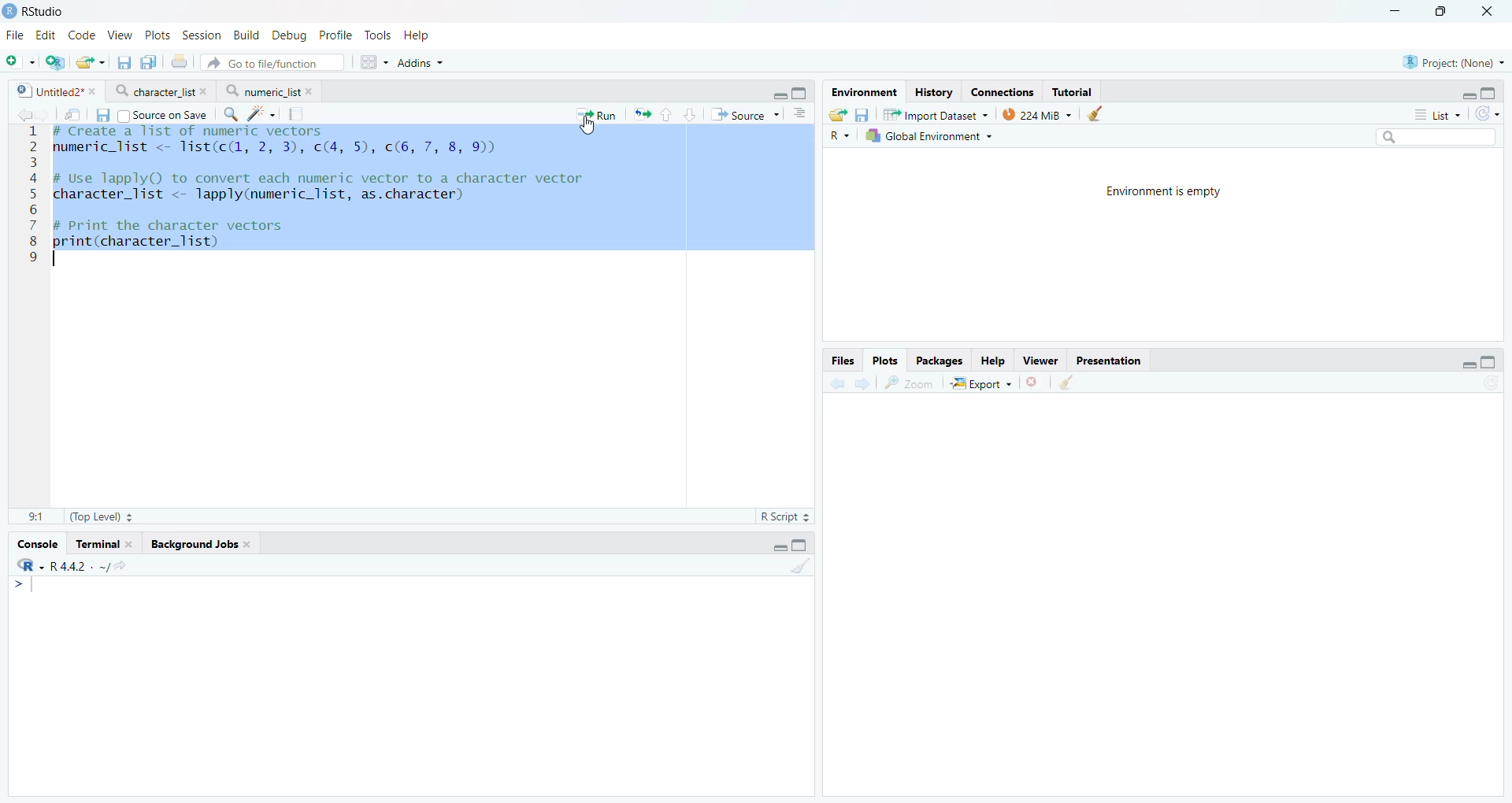 This screenshot has width=1512, height=803. Describe the element at coordinates (261, 114) in the screenshot. I see `Code tools` at that location.